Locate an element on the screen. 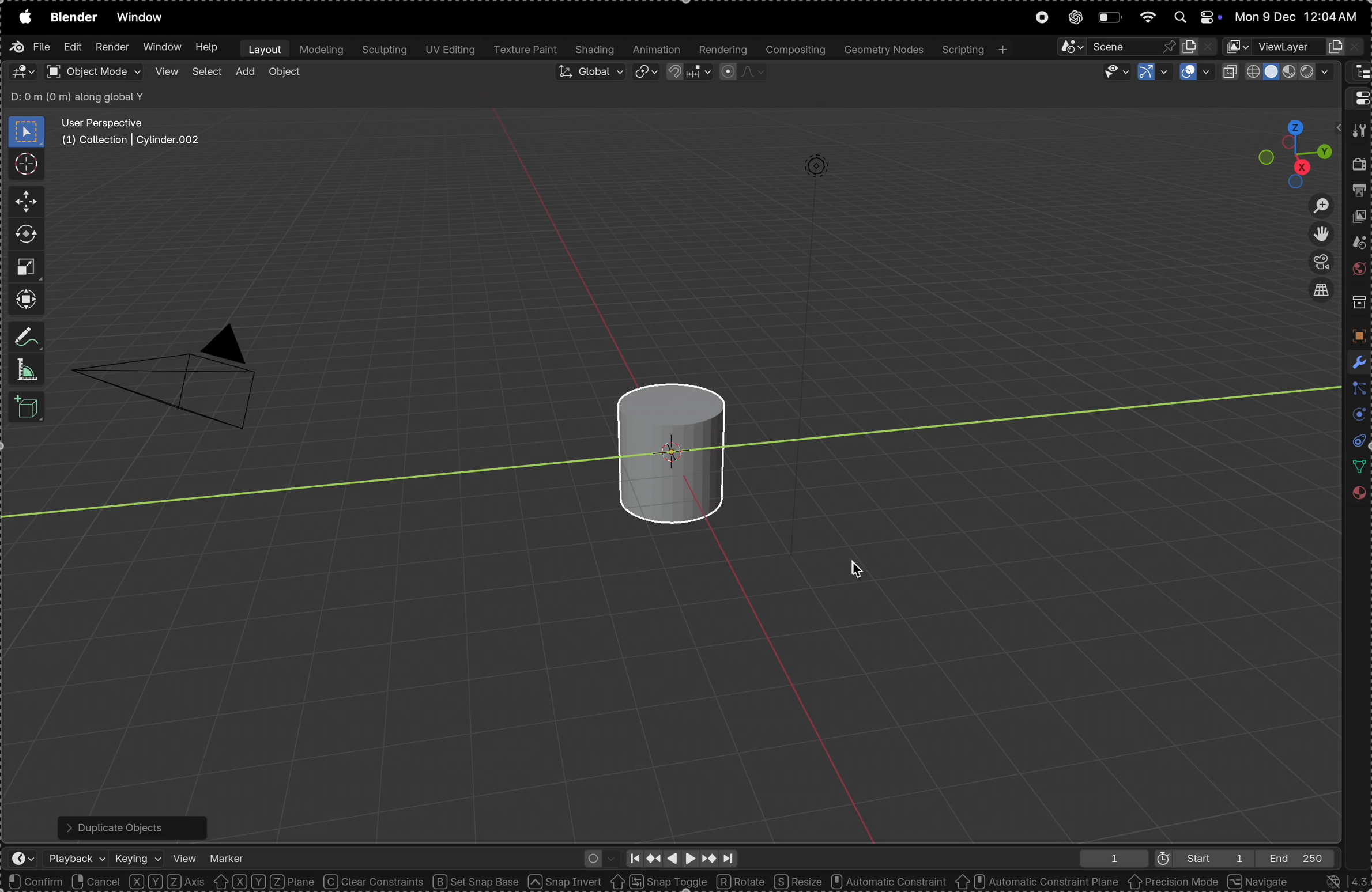 This screenshot has width=1372, height=892. select toggle is located at coordinates (52, 882).